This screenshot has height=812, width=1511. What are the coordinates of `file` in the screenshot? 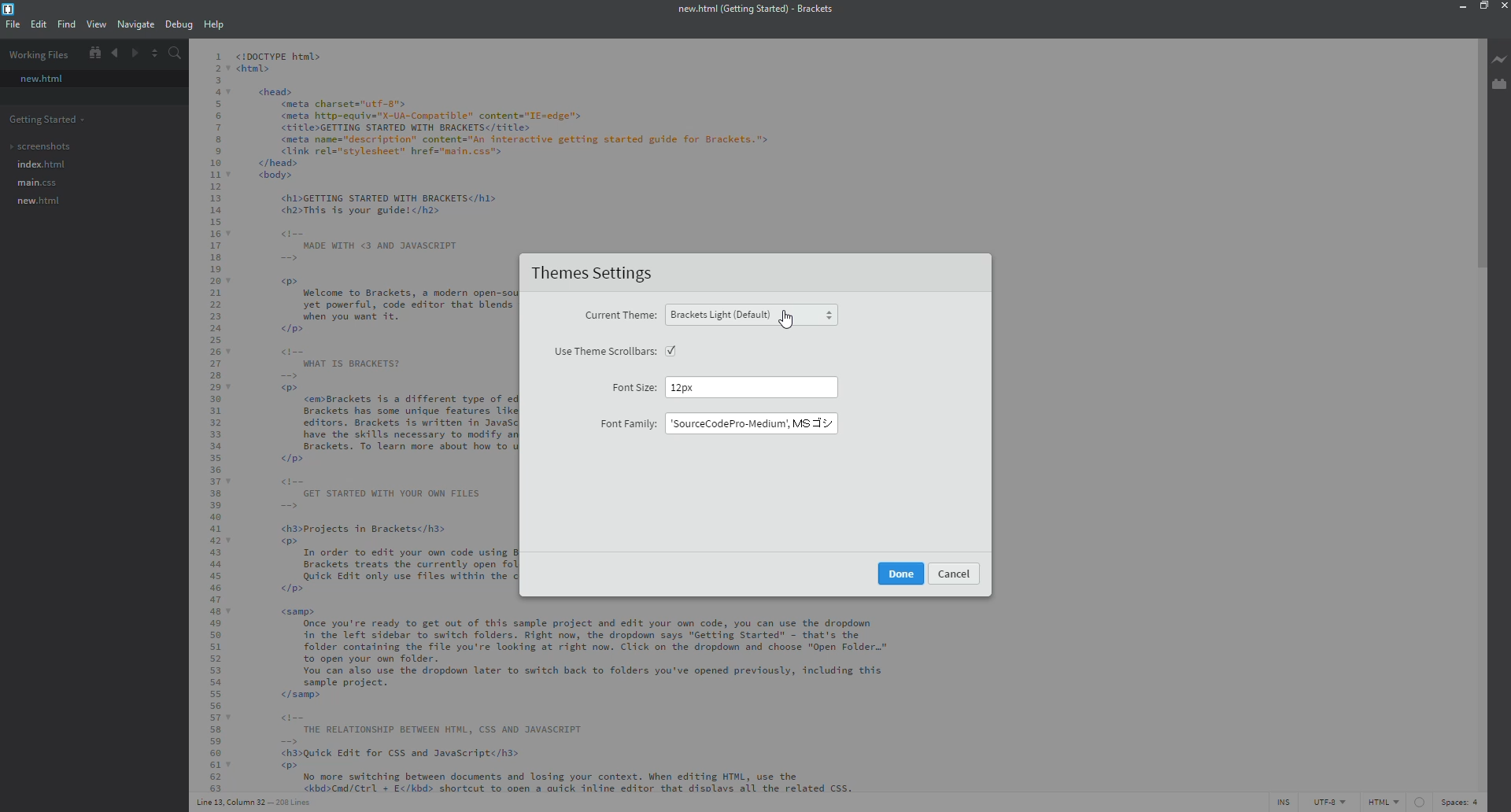 It's located at (12, 24).